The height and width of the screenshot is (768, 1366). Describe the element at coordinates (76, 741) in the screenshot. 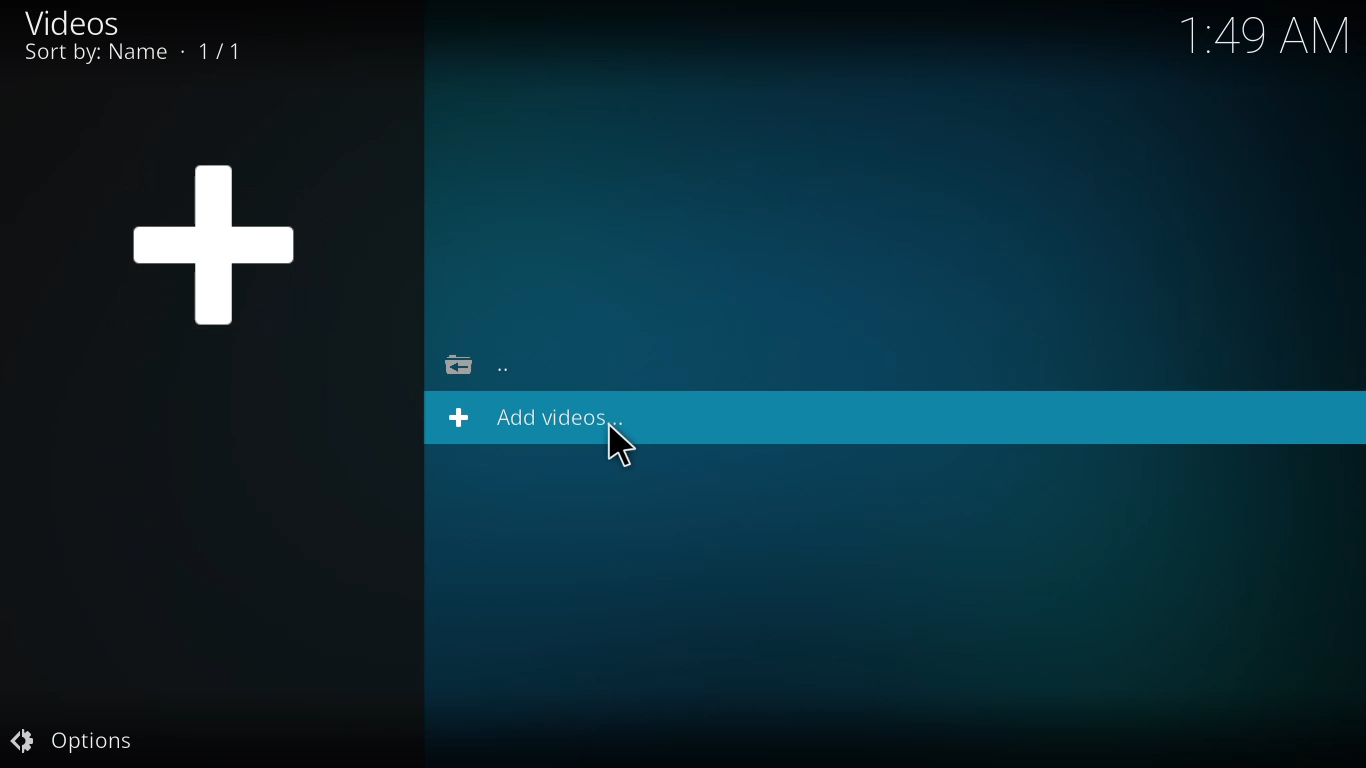

I see `options` at that location.